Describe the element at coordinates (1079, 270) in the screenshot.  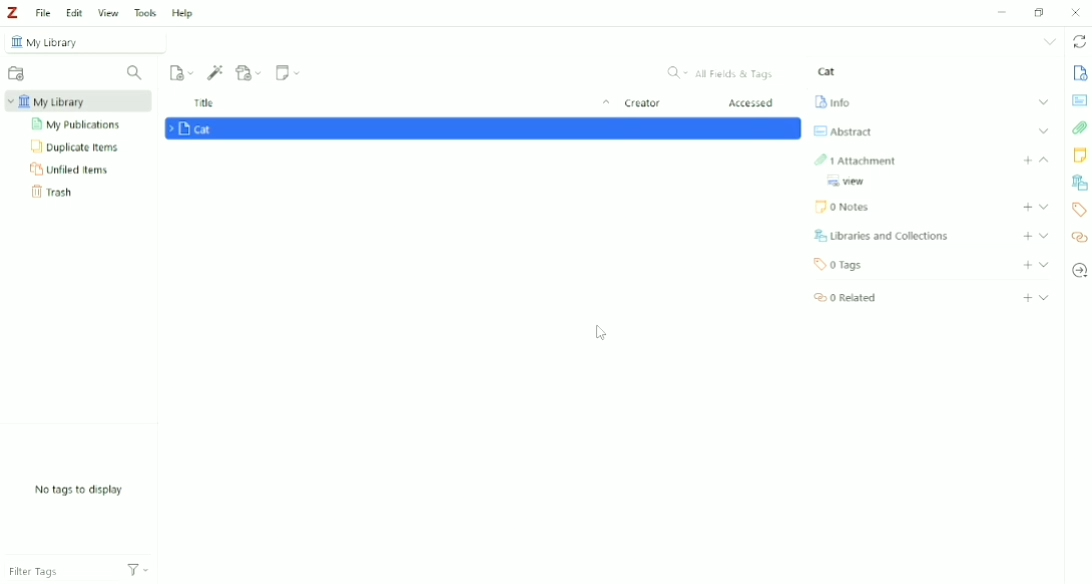
I see `Locate` at that location.